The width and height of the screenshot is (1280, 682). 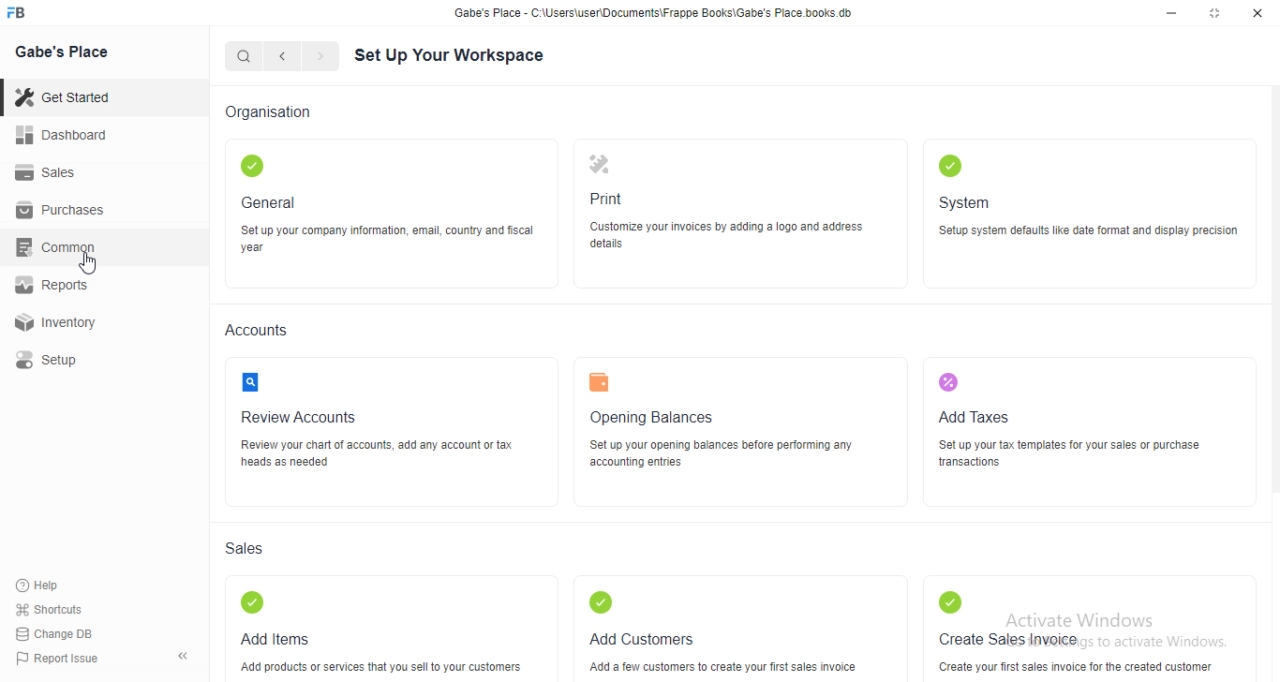 What do you see at coordinates (61, 210) in the screenshot?
I see `Purchases` at bounding box center [61, 210].